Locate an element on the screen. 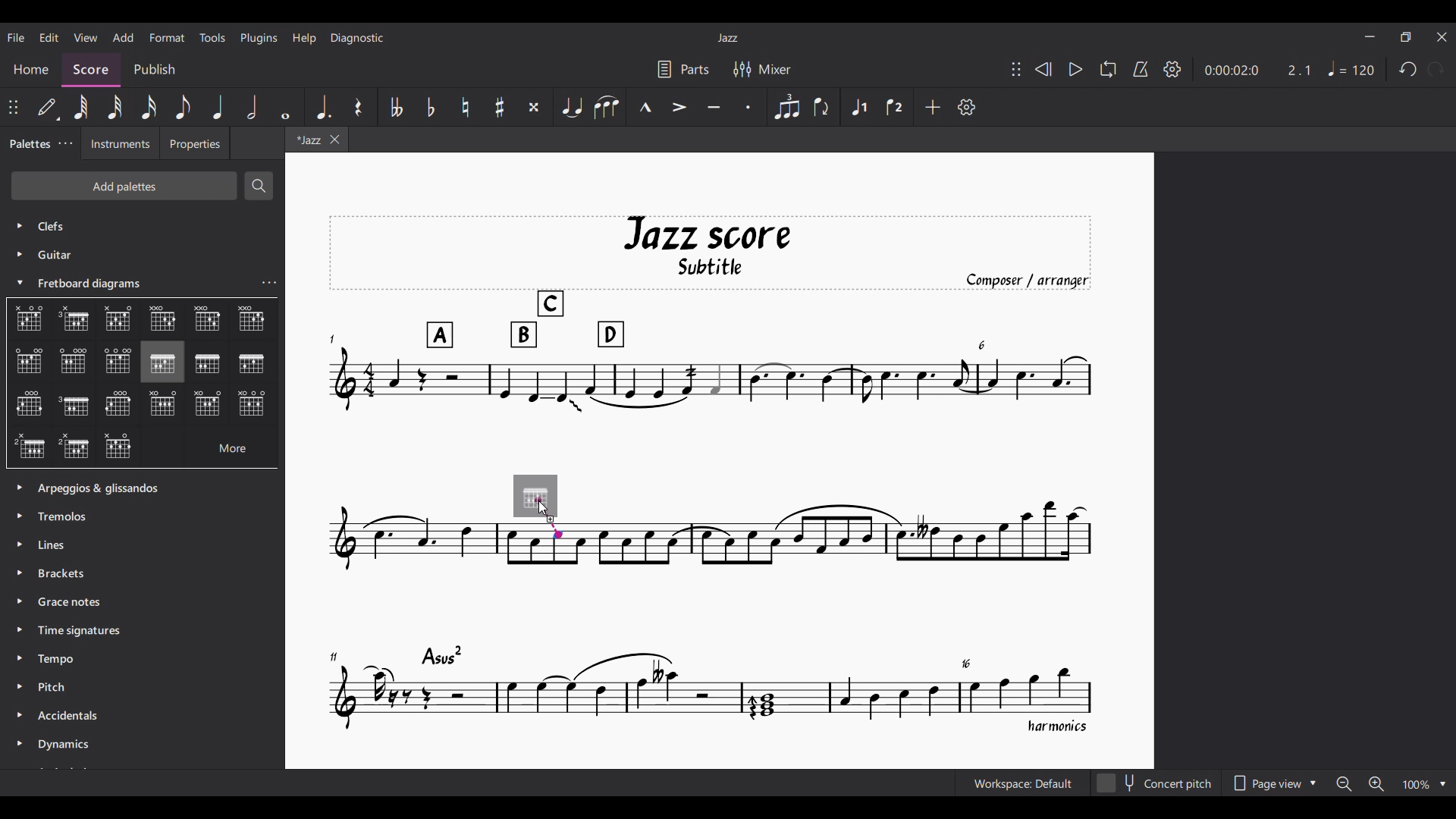 The width and height of the screenshot is (1456, 819). Settings of current selection is located at coordinates (268, 282).